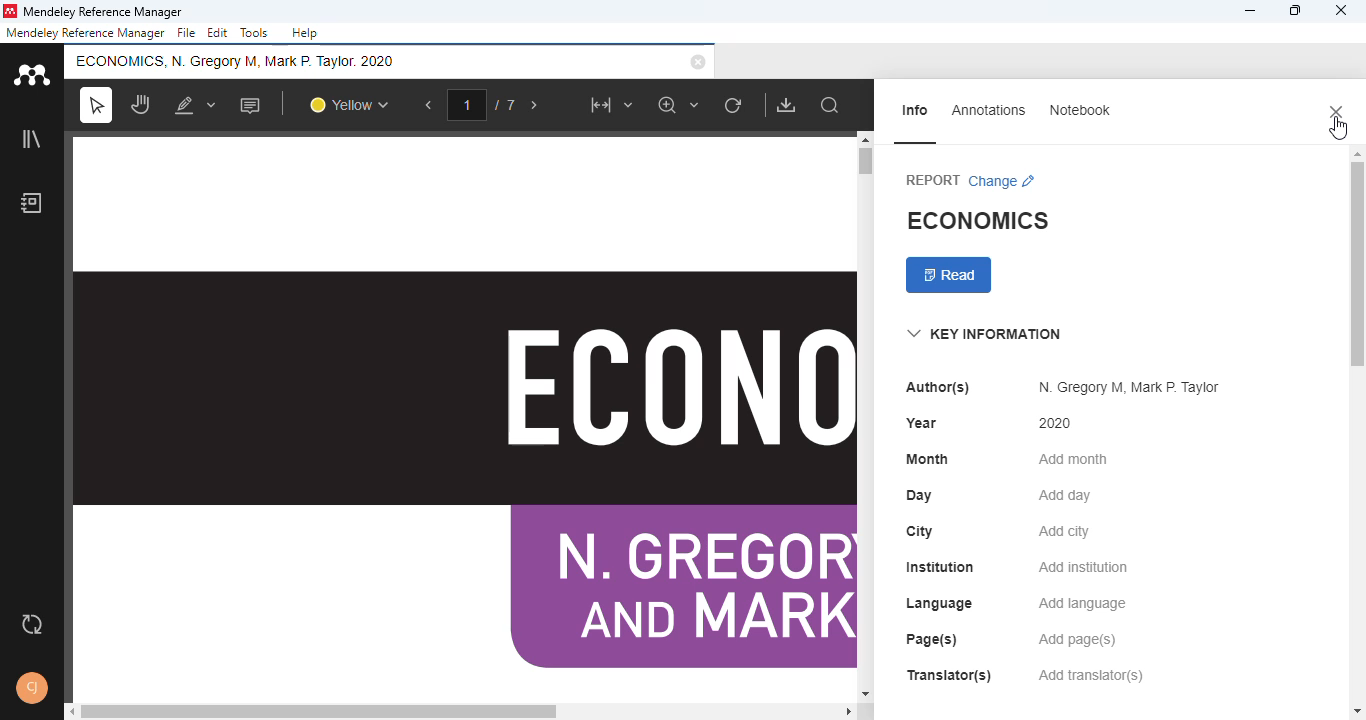 The image size is (1366, 720). What do you see at coordinates (534, 106) in the screenshot?
I see `next page` at bounding box center [534, 106].